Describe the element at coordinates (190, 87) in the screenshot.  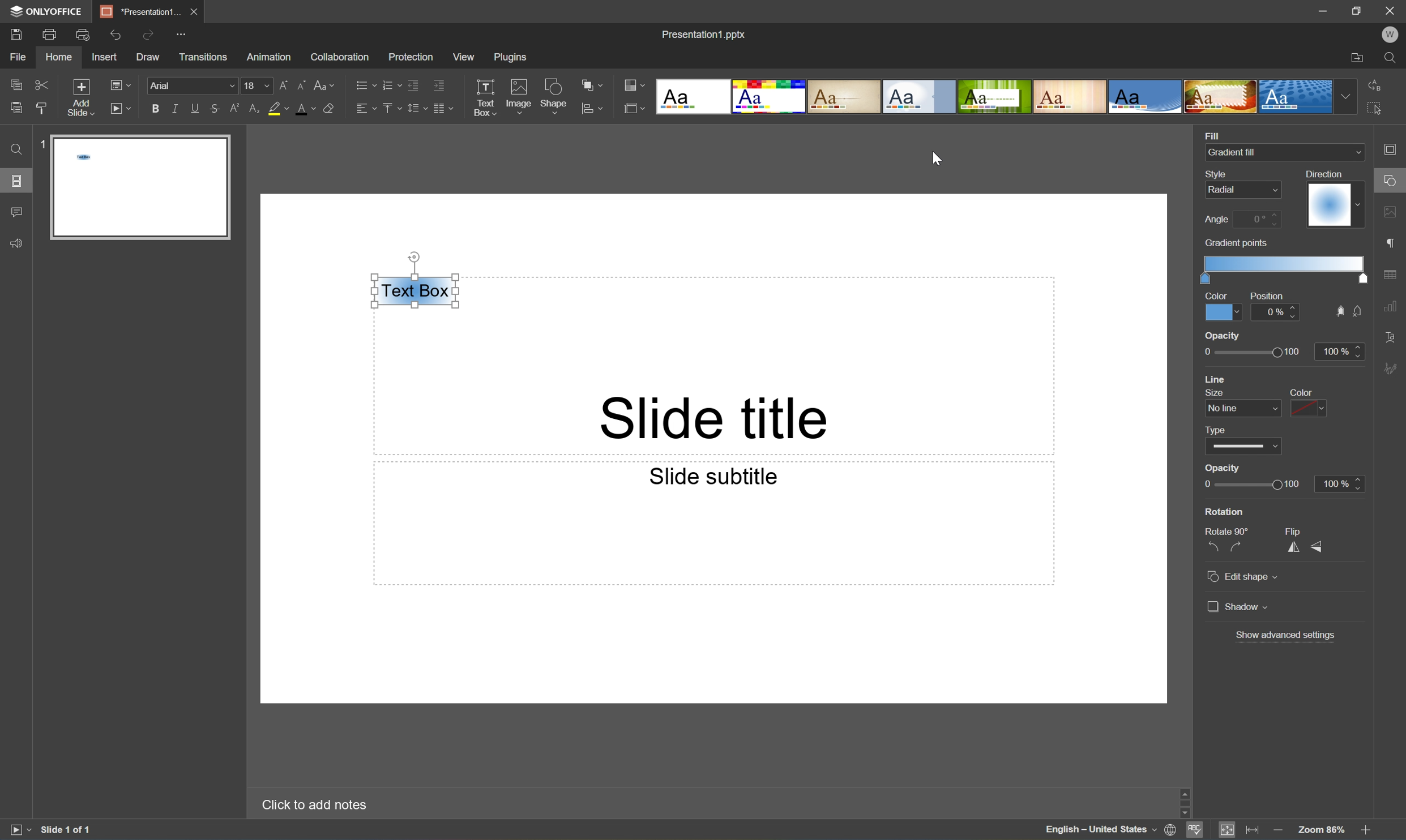
I see `Font` at that location.